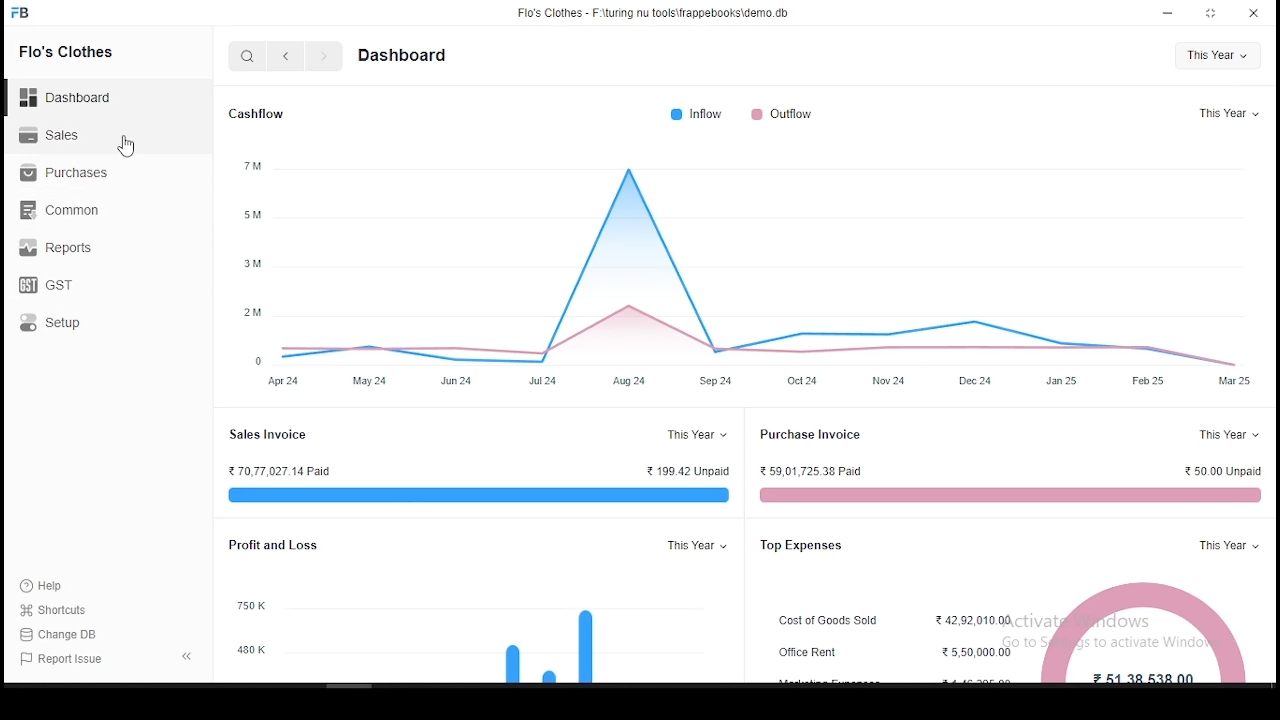 The width and height of the screenshot is (1280, 720). I want to click on nov 24, so click(888, 380).